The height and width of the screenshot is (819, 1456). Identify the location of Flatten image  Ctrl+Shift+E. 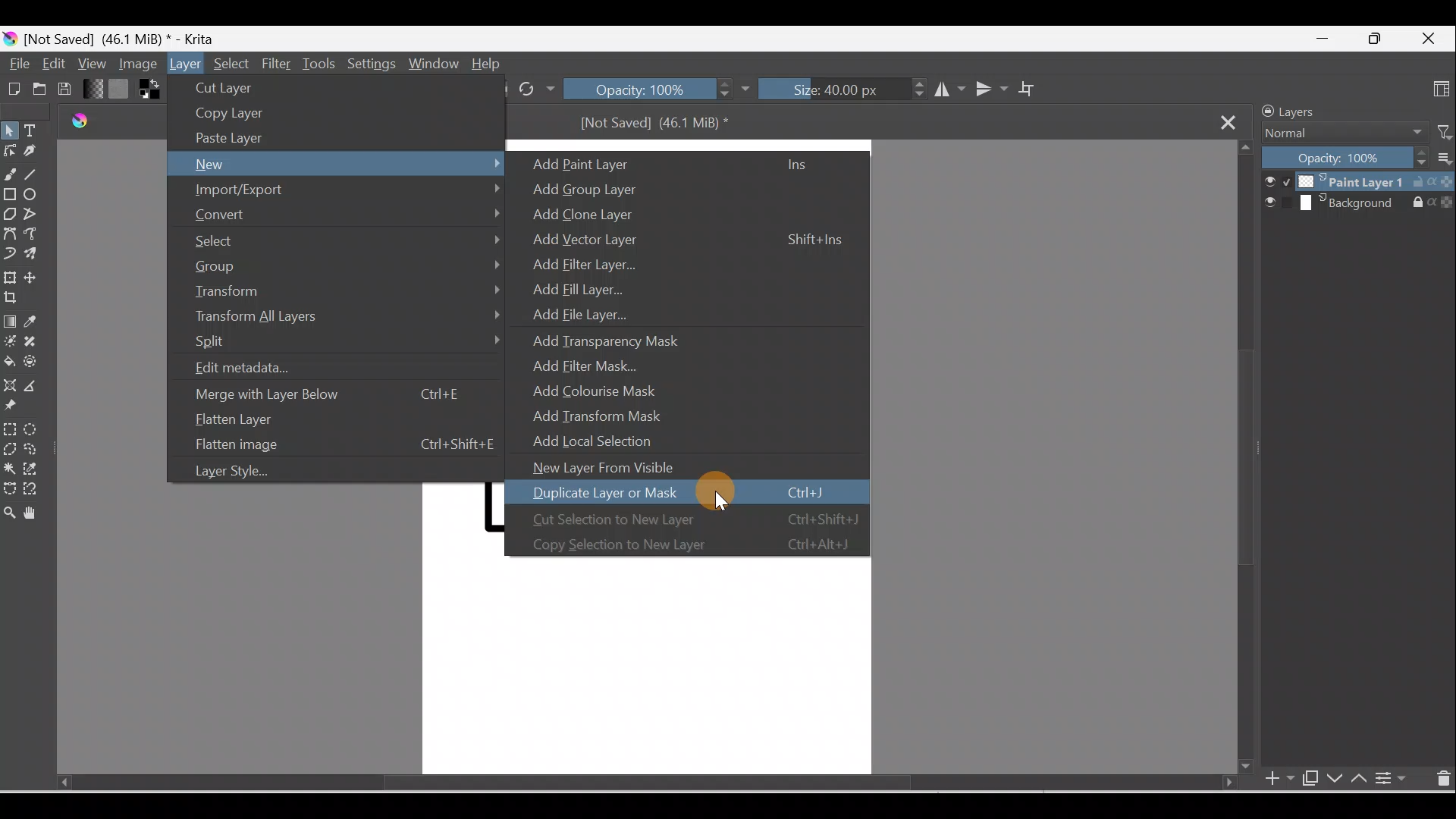
(340, 444).